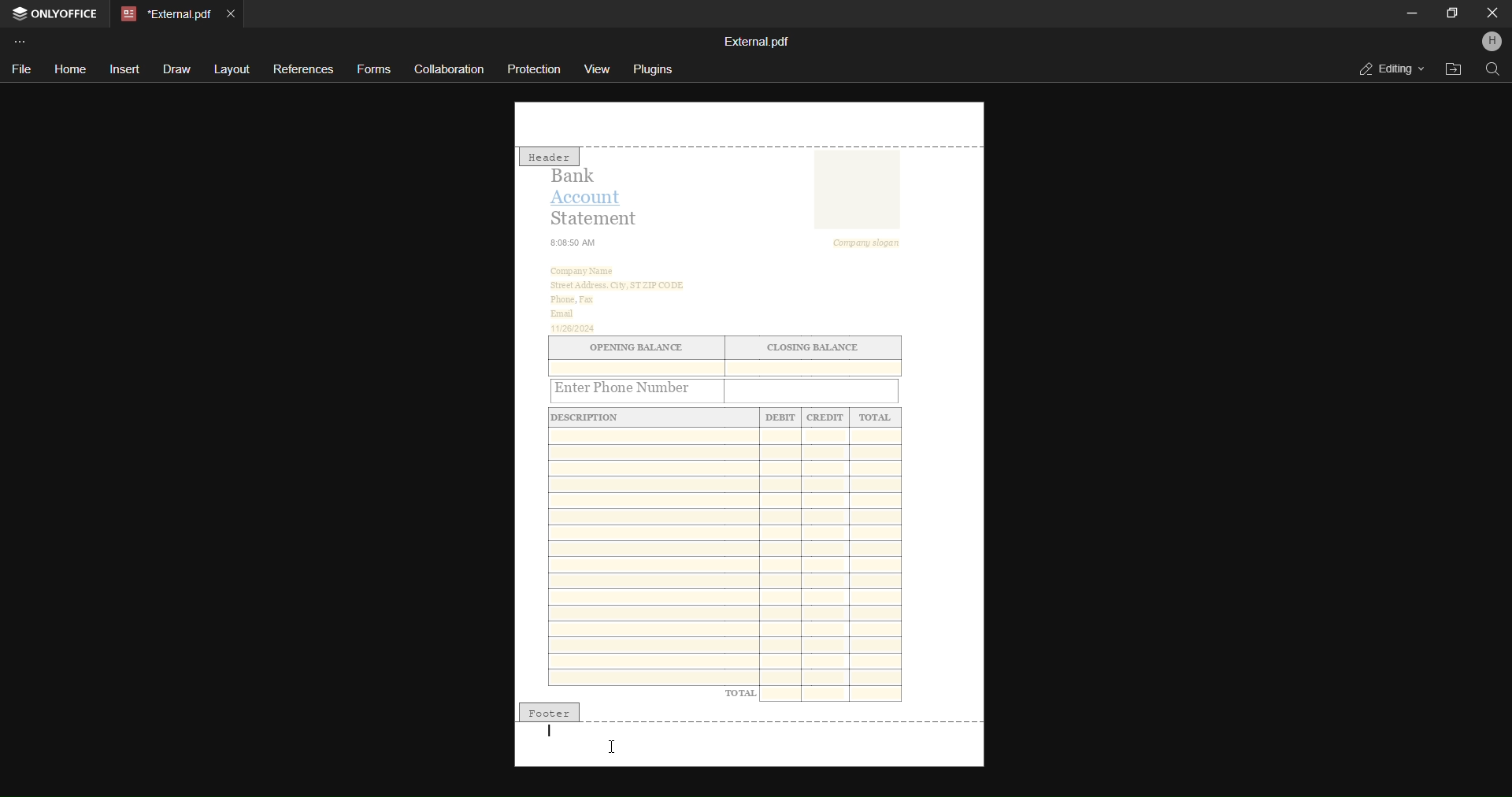  What do you see at coordinates (815, 348) in the screenshot?
I see `CLOSING BALANCE` at bounding box center [815, 348].